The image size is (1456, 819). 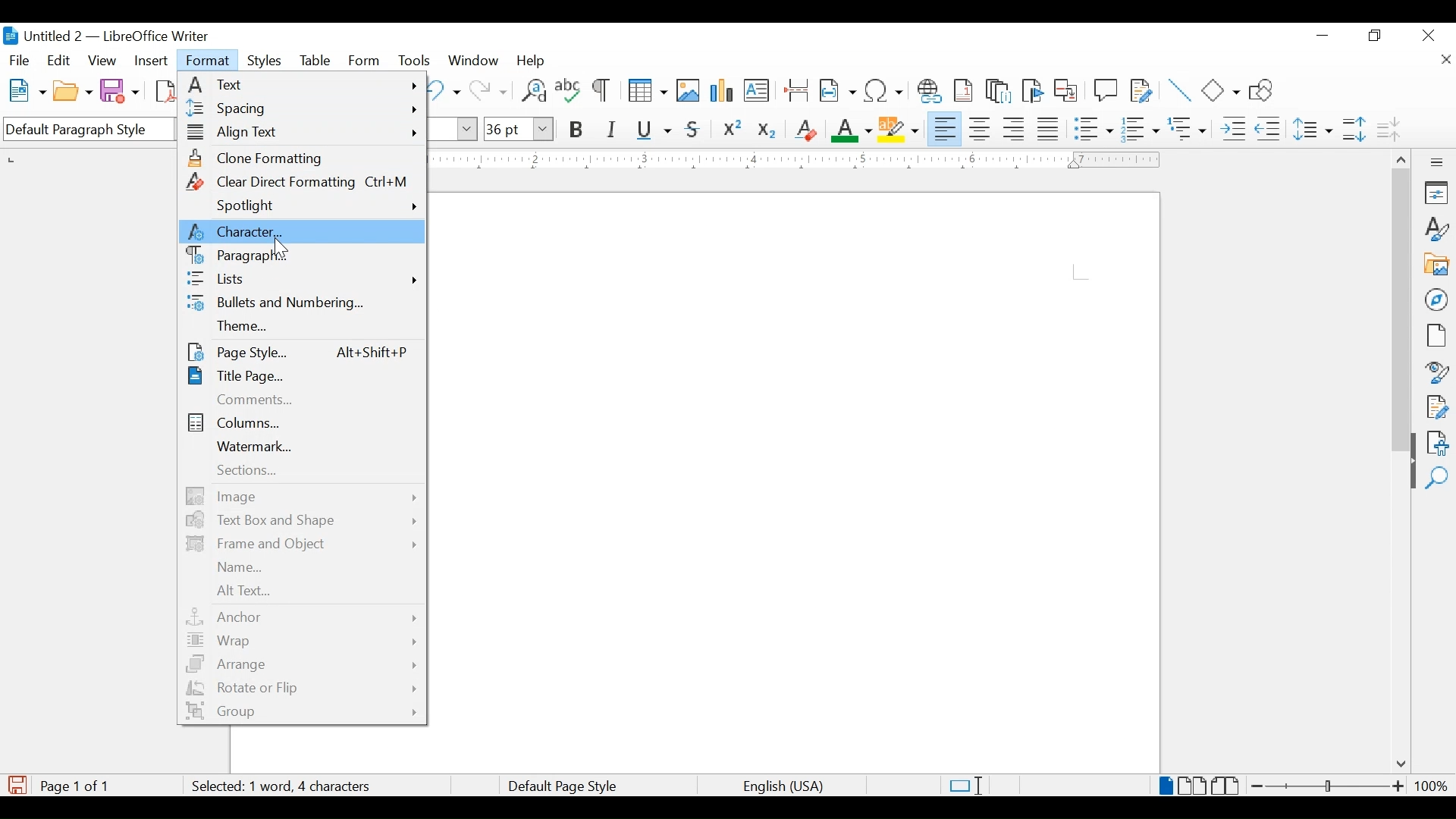 I want to click on subscript, so click(x=768, y=133).